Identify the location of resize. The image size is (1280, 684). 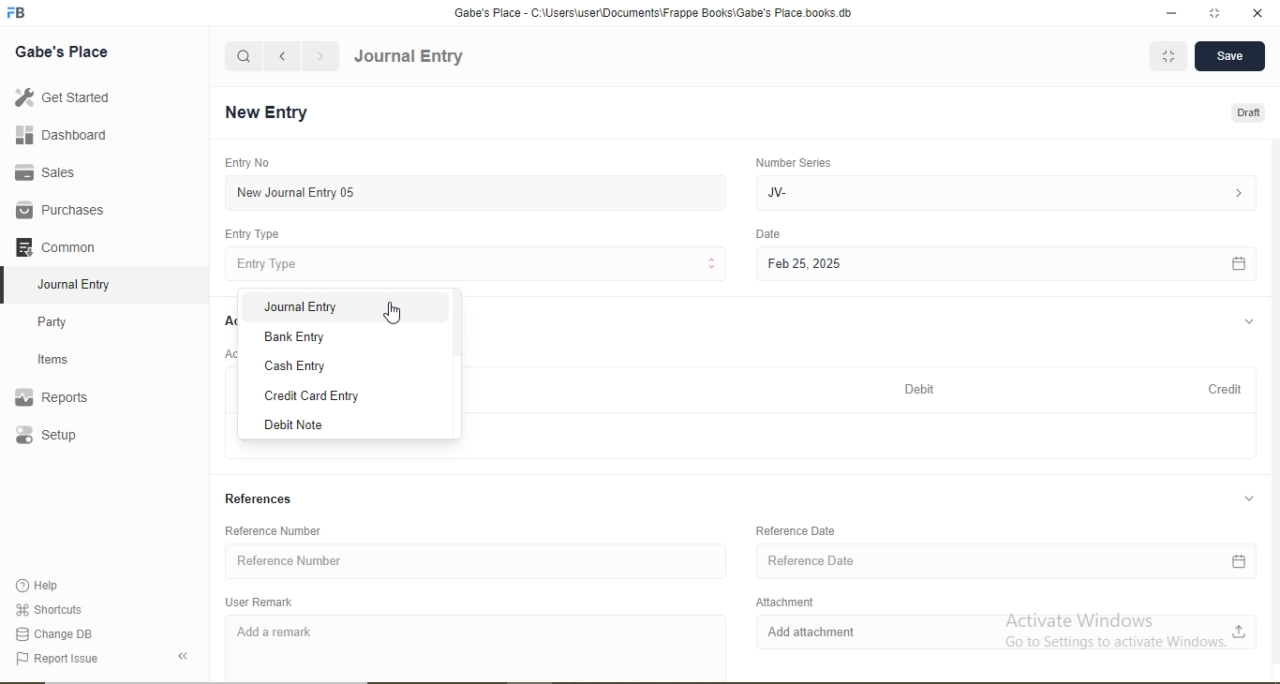
(1212, 13).